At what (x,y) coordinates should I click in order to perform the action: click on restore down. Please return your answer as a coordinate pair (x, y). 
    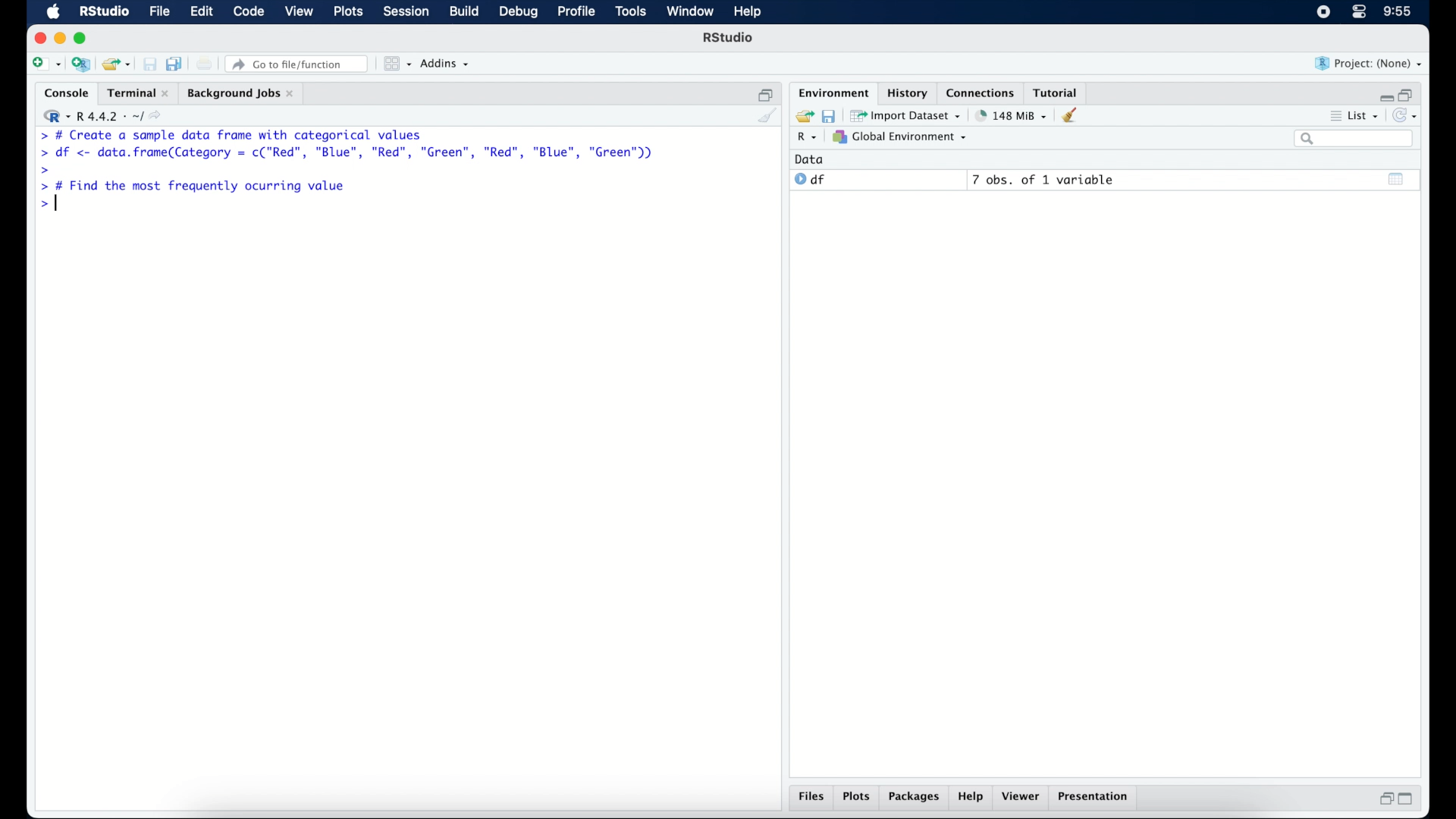
    Looking at the image, I should click on (1384, 799).